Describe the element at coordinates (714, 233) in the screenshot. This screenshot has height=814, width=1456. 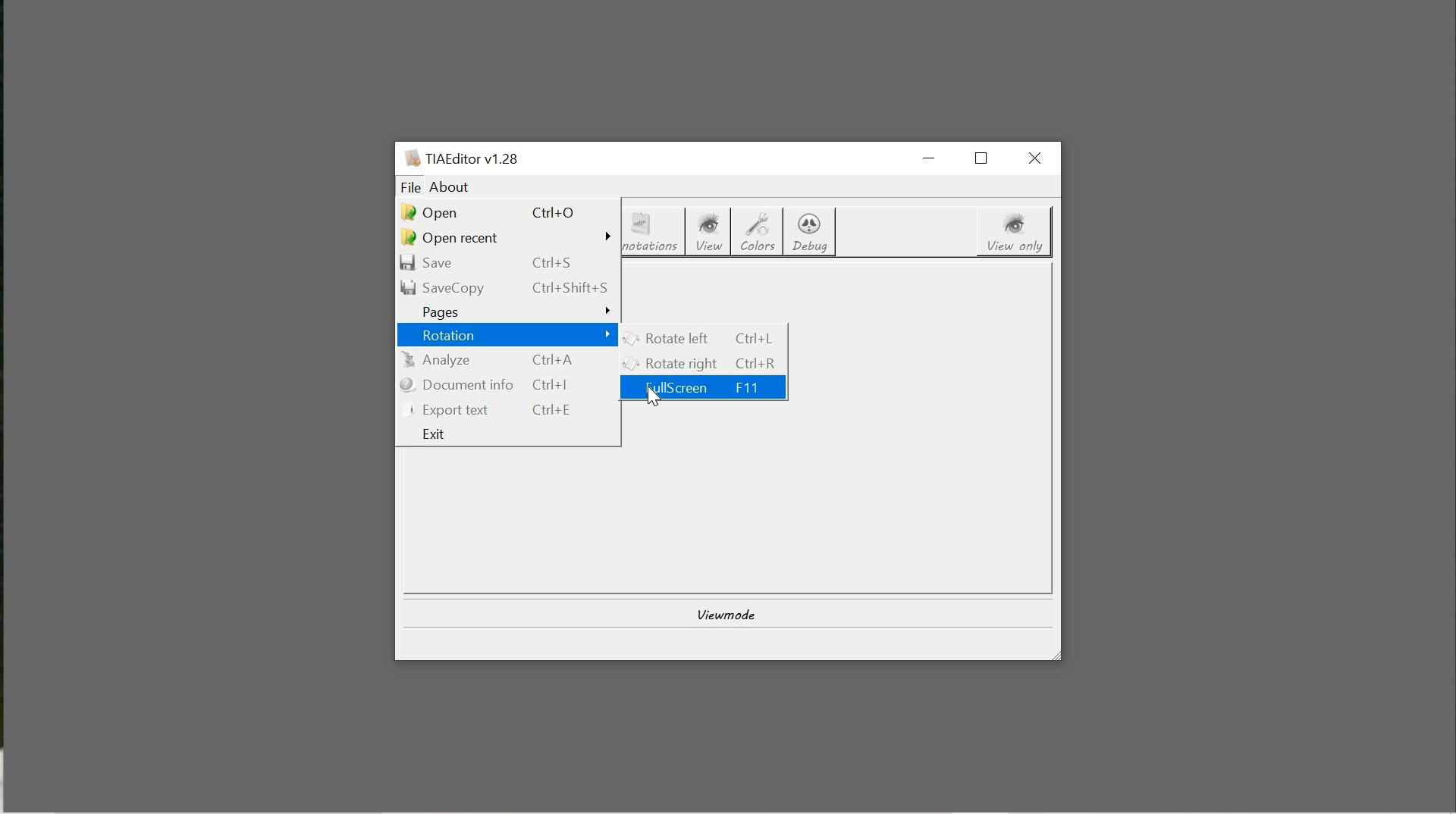
I see `view` at that location.